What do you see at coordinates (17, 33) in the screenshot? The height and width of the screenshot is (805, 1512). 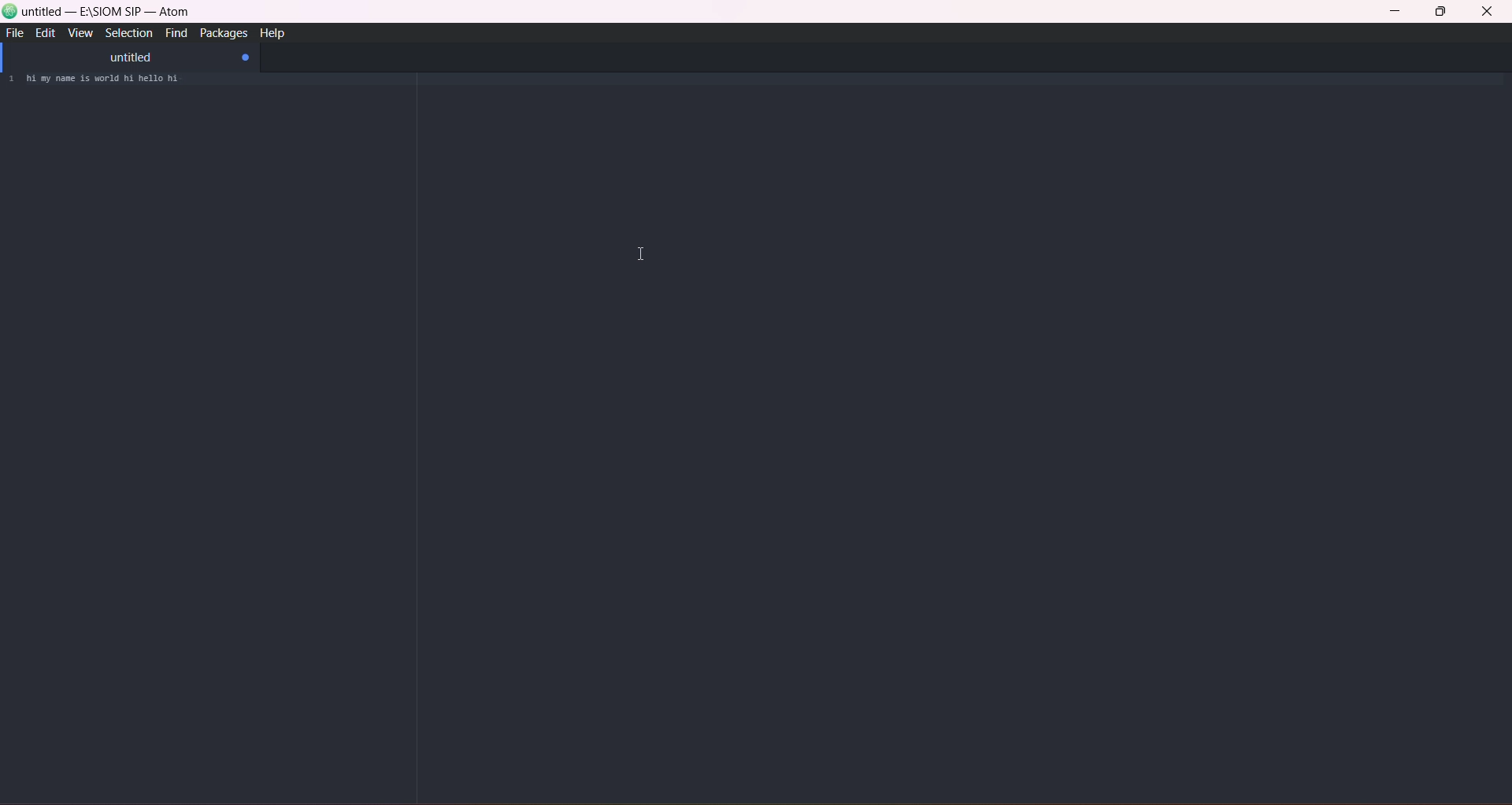 I see `file` at bounding box center [17, 33].